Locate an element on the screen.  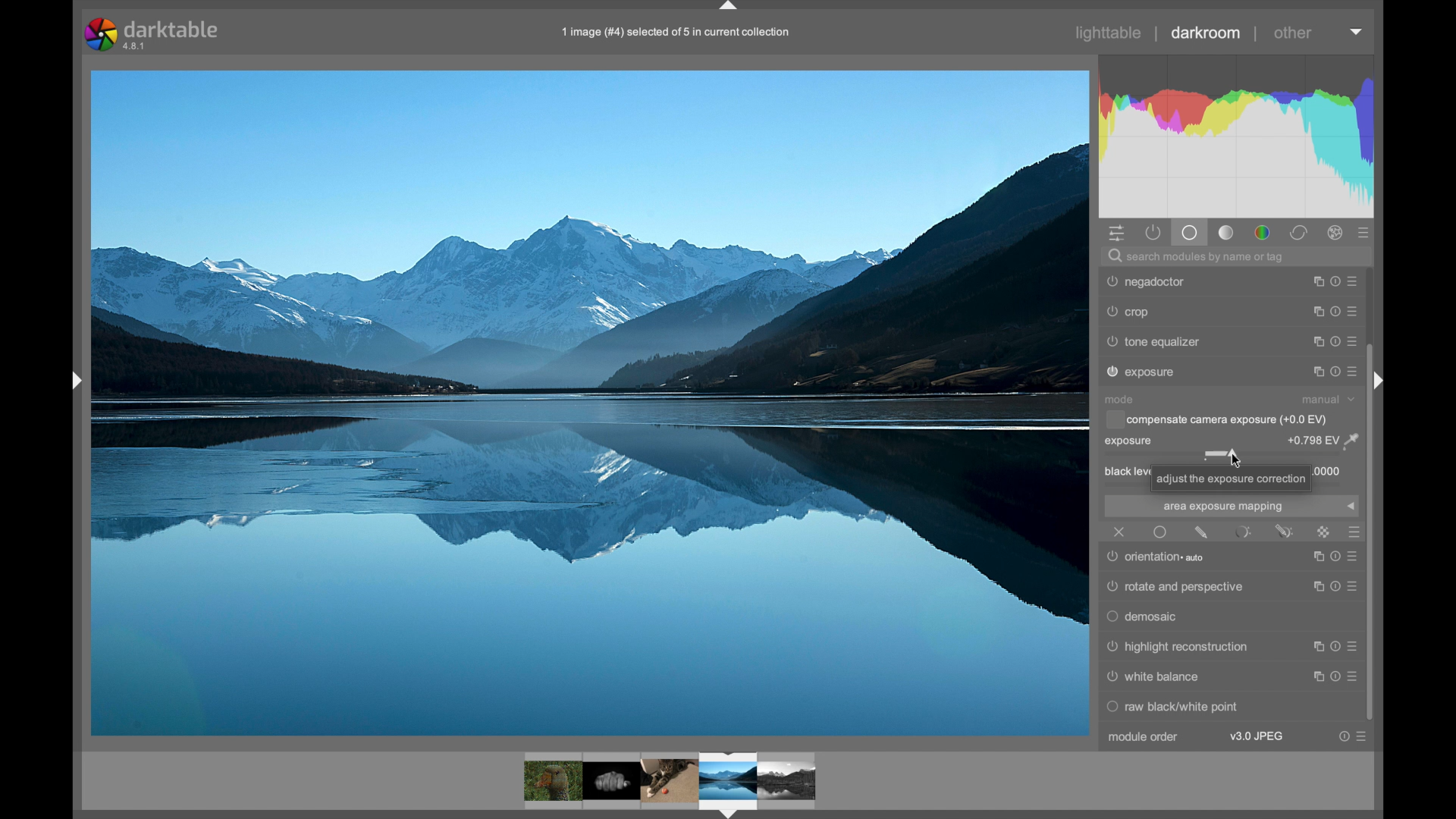
quick access panel is located at coordinates (1115, 233).